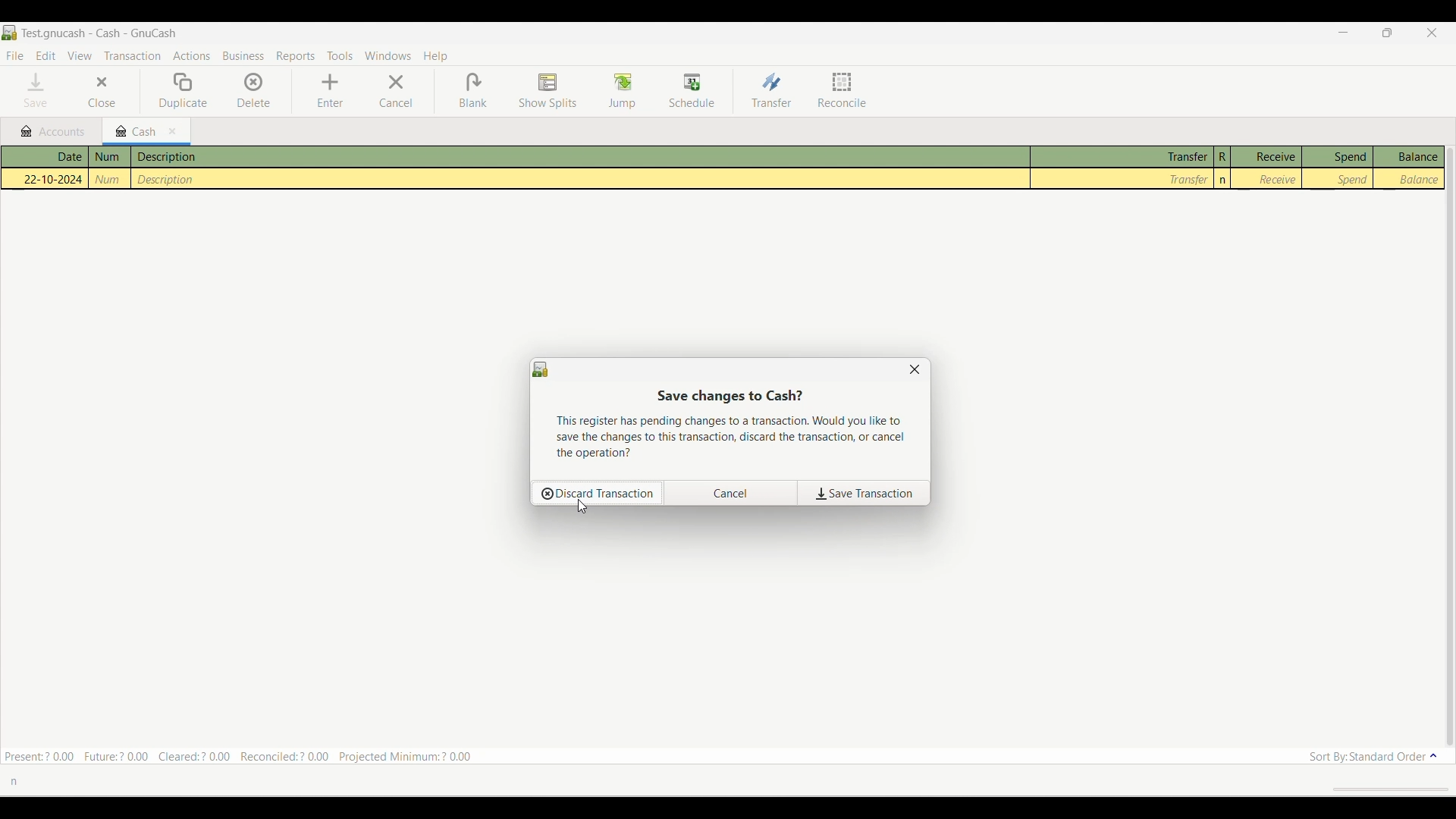 This screenshot has width=1456, height=819. Describe the element at coordinates (101, 33) in the screenshot. I see `Name of current tab` at that location.